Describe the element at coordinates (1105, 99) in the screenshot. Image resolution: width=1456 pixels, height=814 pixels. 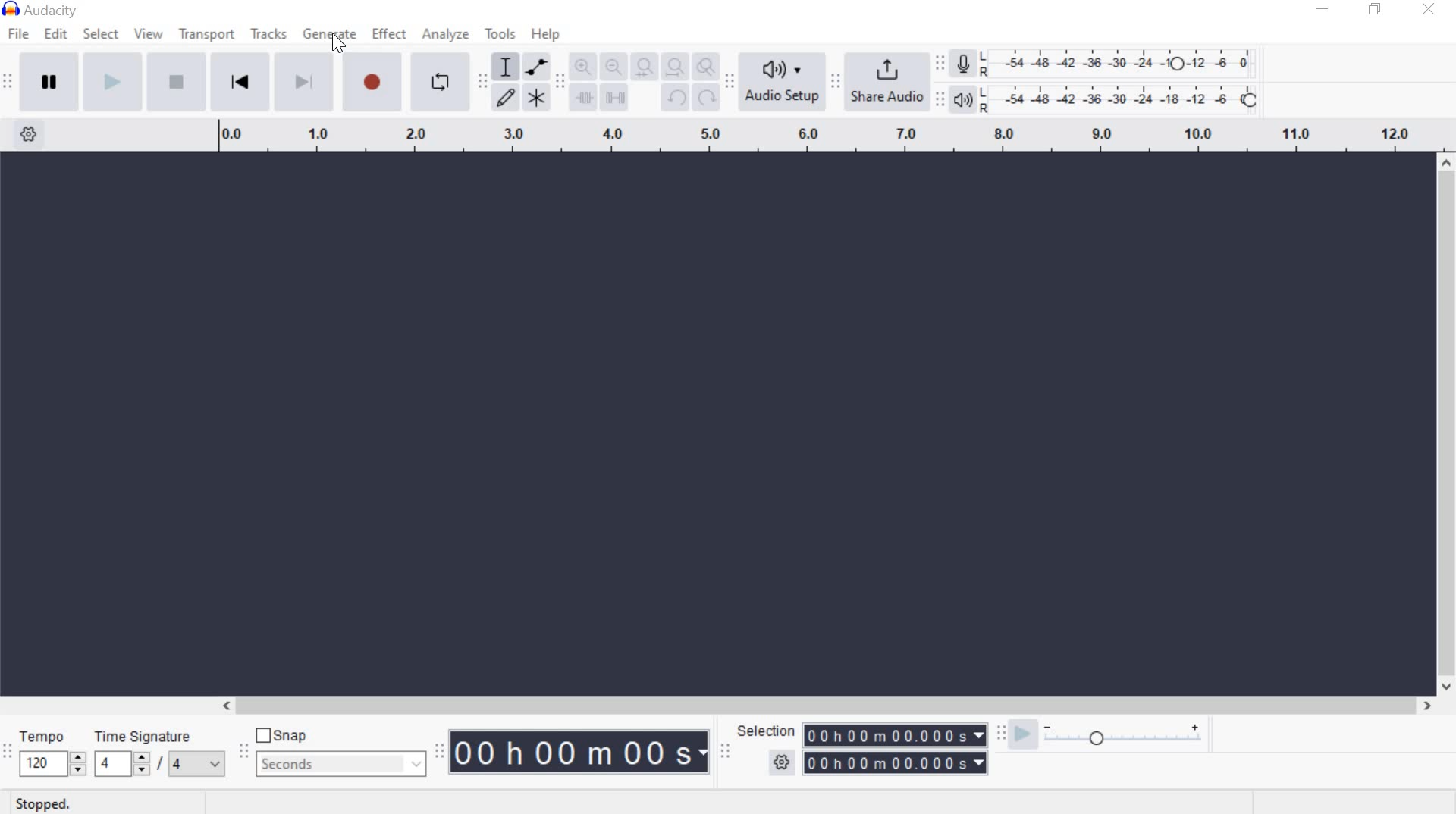
I see `Playback Level` at that location.